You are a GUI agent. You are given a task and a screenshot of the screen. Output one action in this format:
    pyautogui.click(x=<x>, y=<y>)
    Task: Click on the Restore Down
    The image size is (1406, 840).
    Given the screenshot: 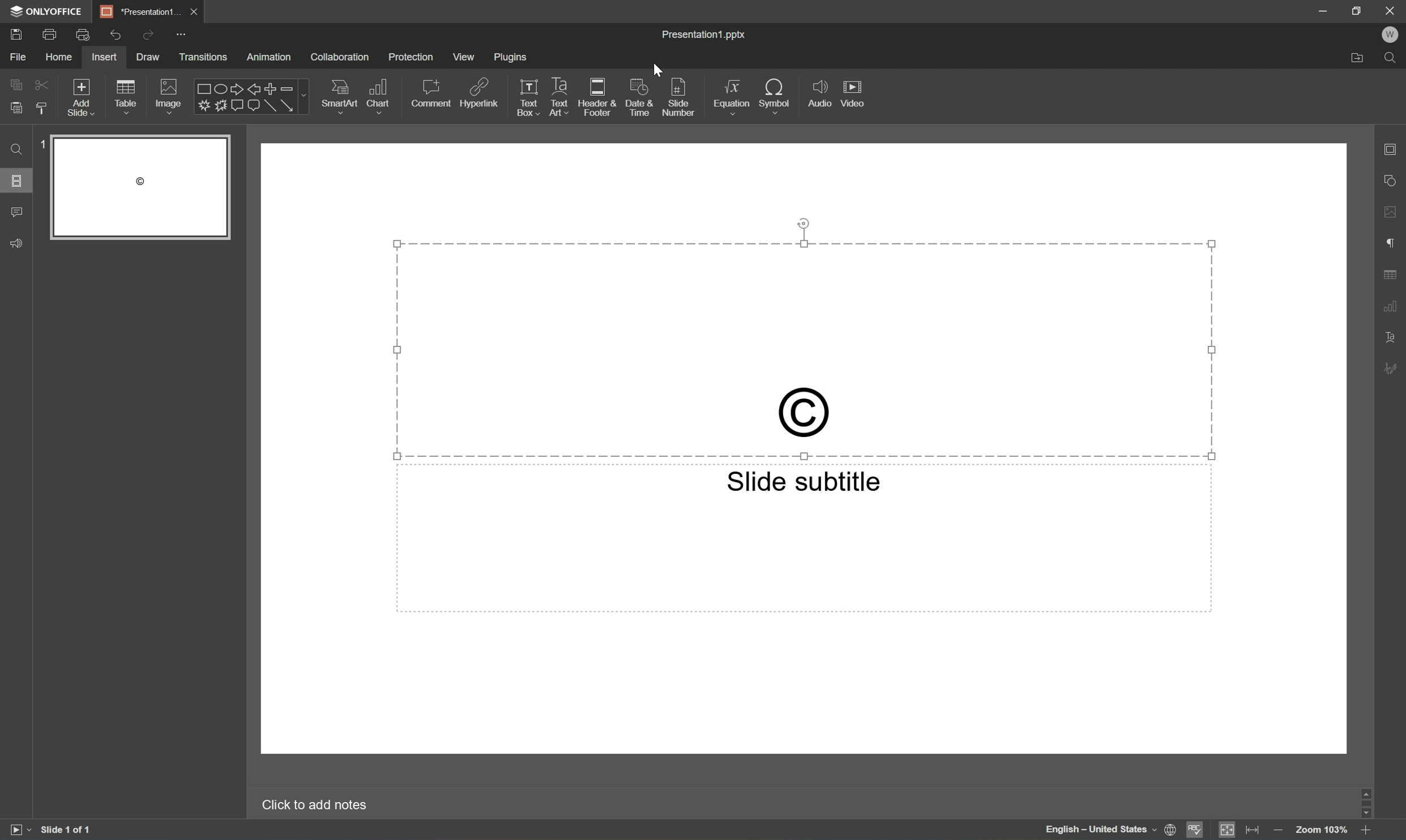 What is the action you would take?
    pyautogui.click(x=1357, y=10)
    